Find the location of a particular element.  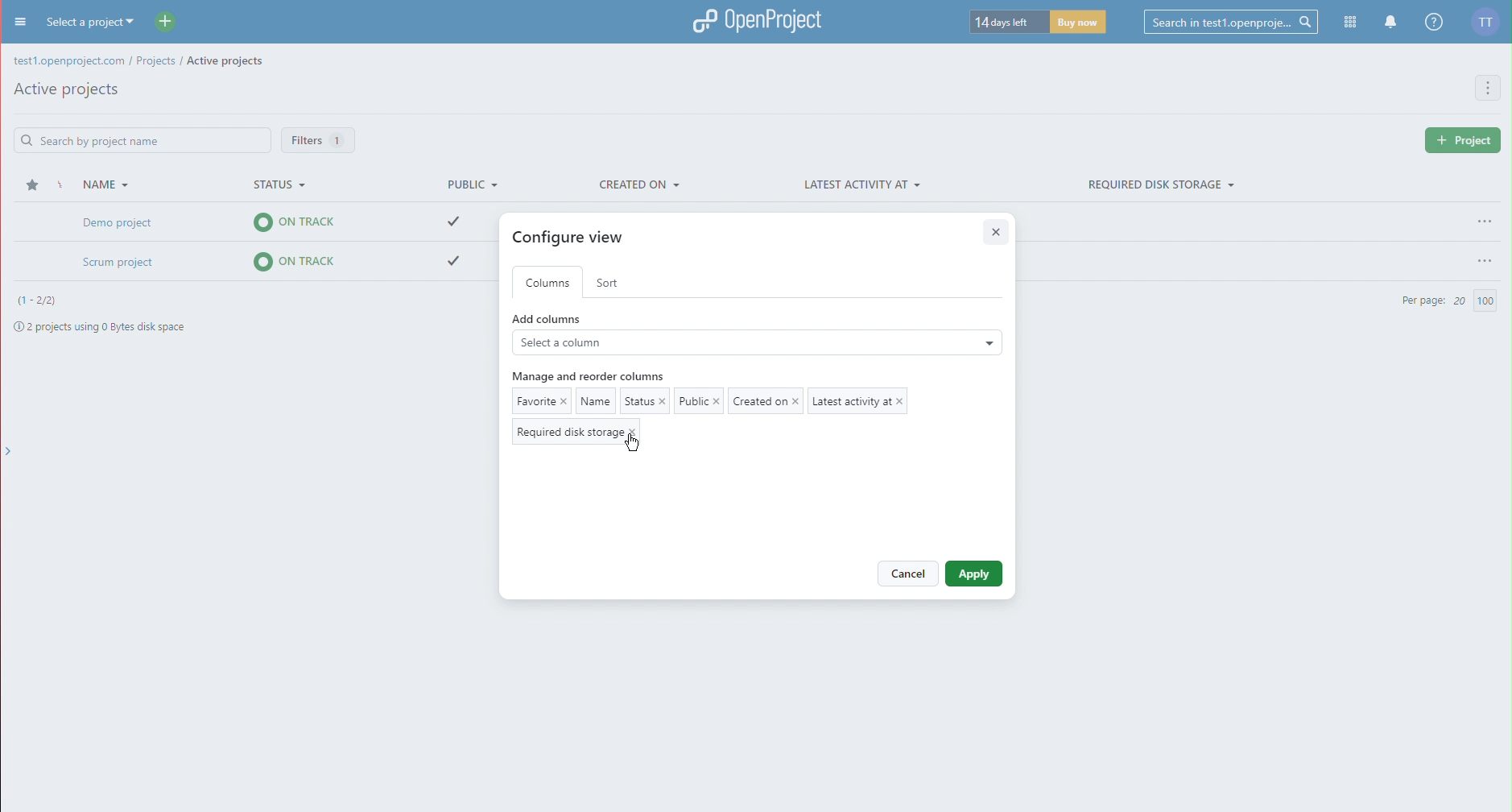

Status is located at coordinates (283, 188).